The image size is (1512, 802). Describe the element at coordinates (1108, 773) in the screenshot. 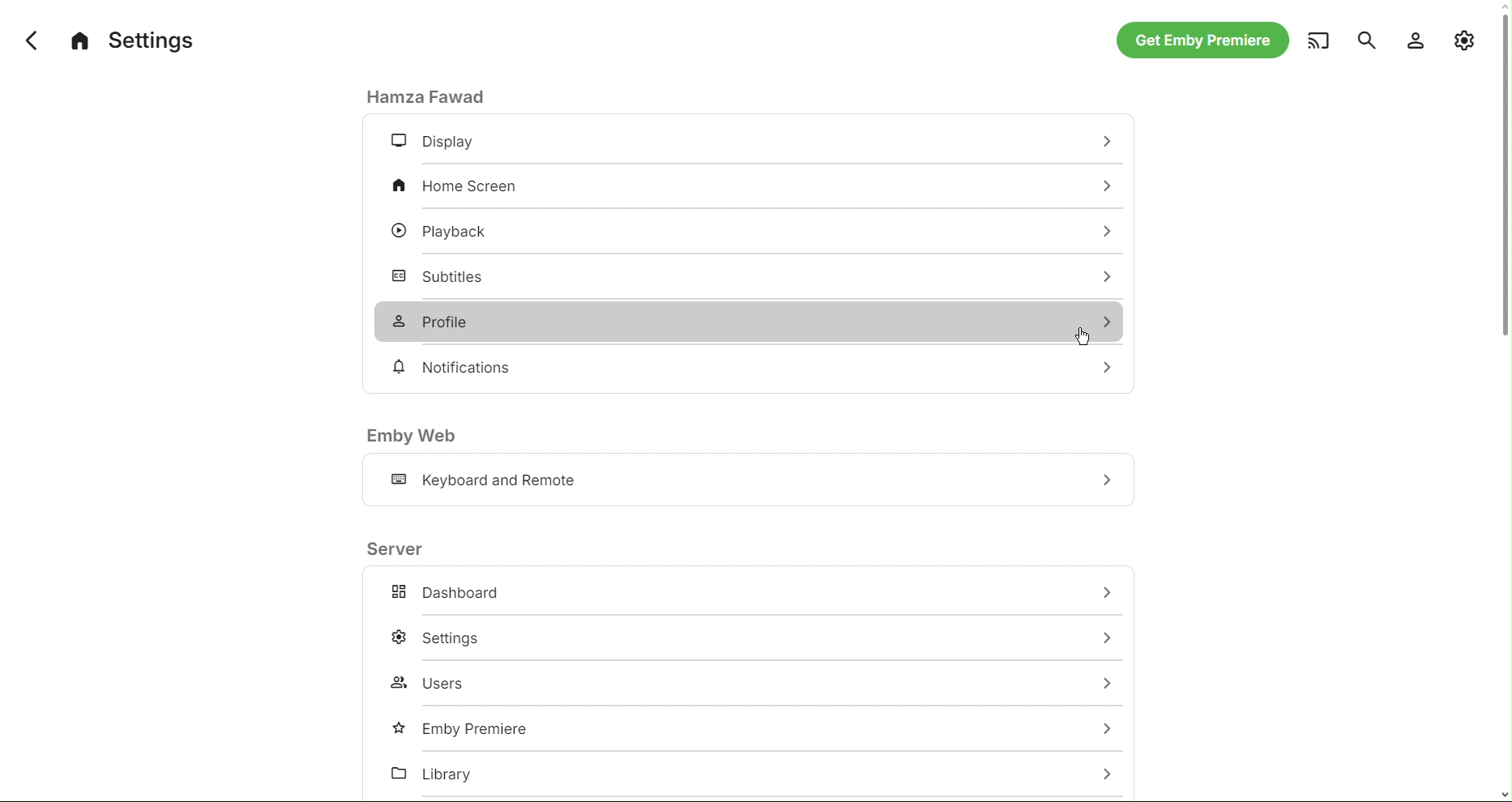

I see `` at that location.